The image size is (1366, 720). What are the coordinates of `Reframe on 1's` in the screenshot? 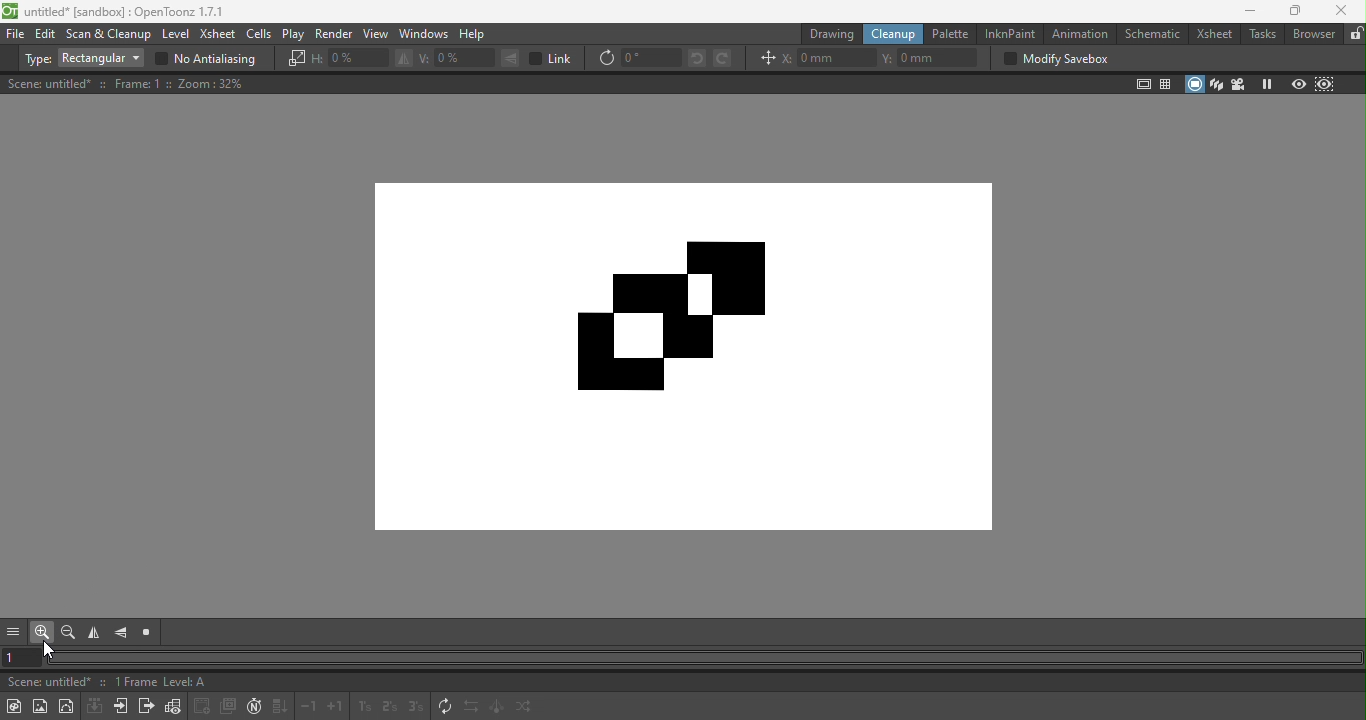 It's located at (362, 708).